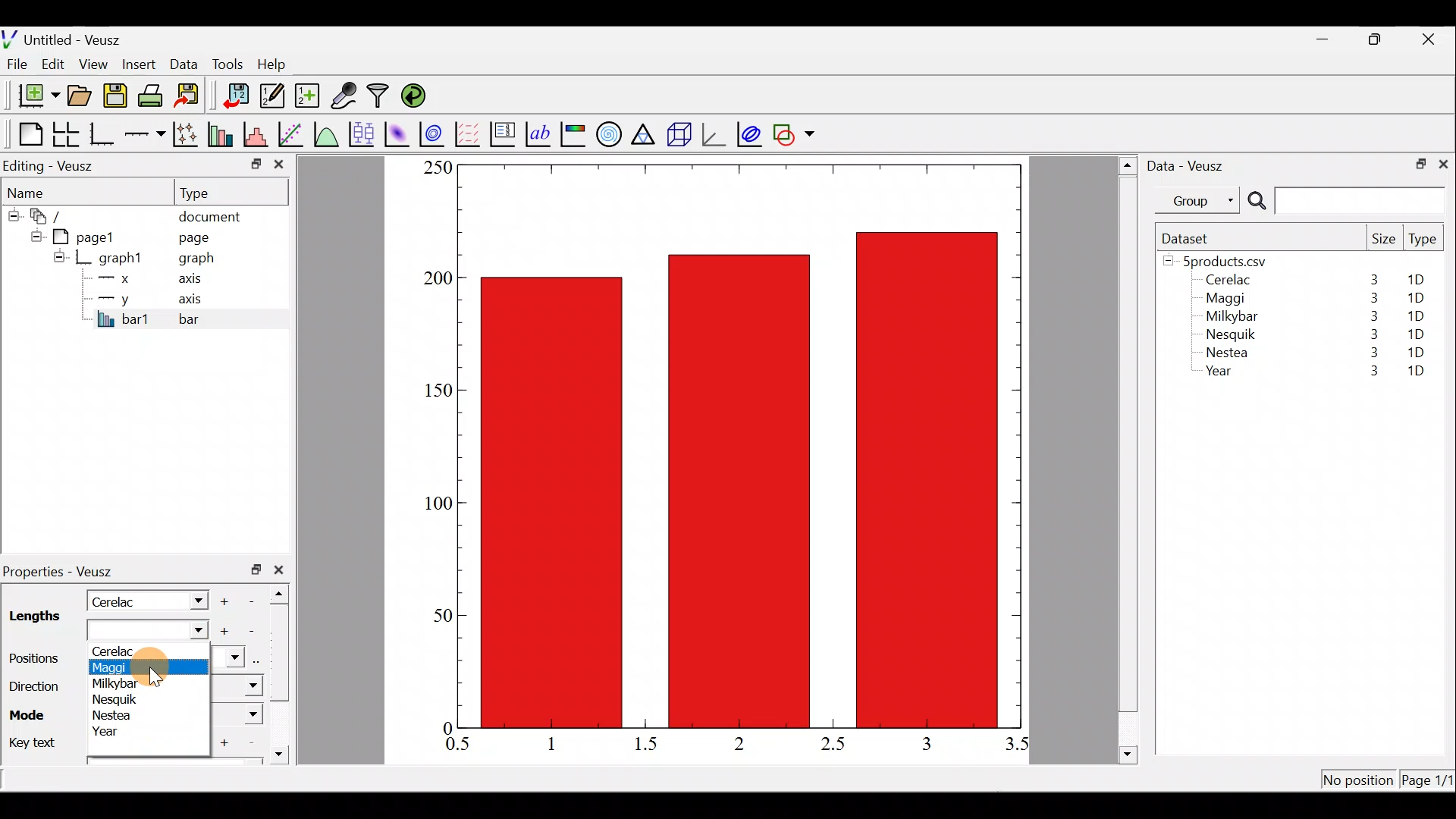 The width and height of the screenshot is (1456, 819). Describe the element at coordinates (435, 133) in the screenshot. I see `Plot a 2d dataset as contours` at that location.